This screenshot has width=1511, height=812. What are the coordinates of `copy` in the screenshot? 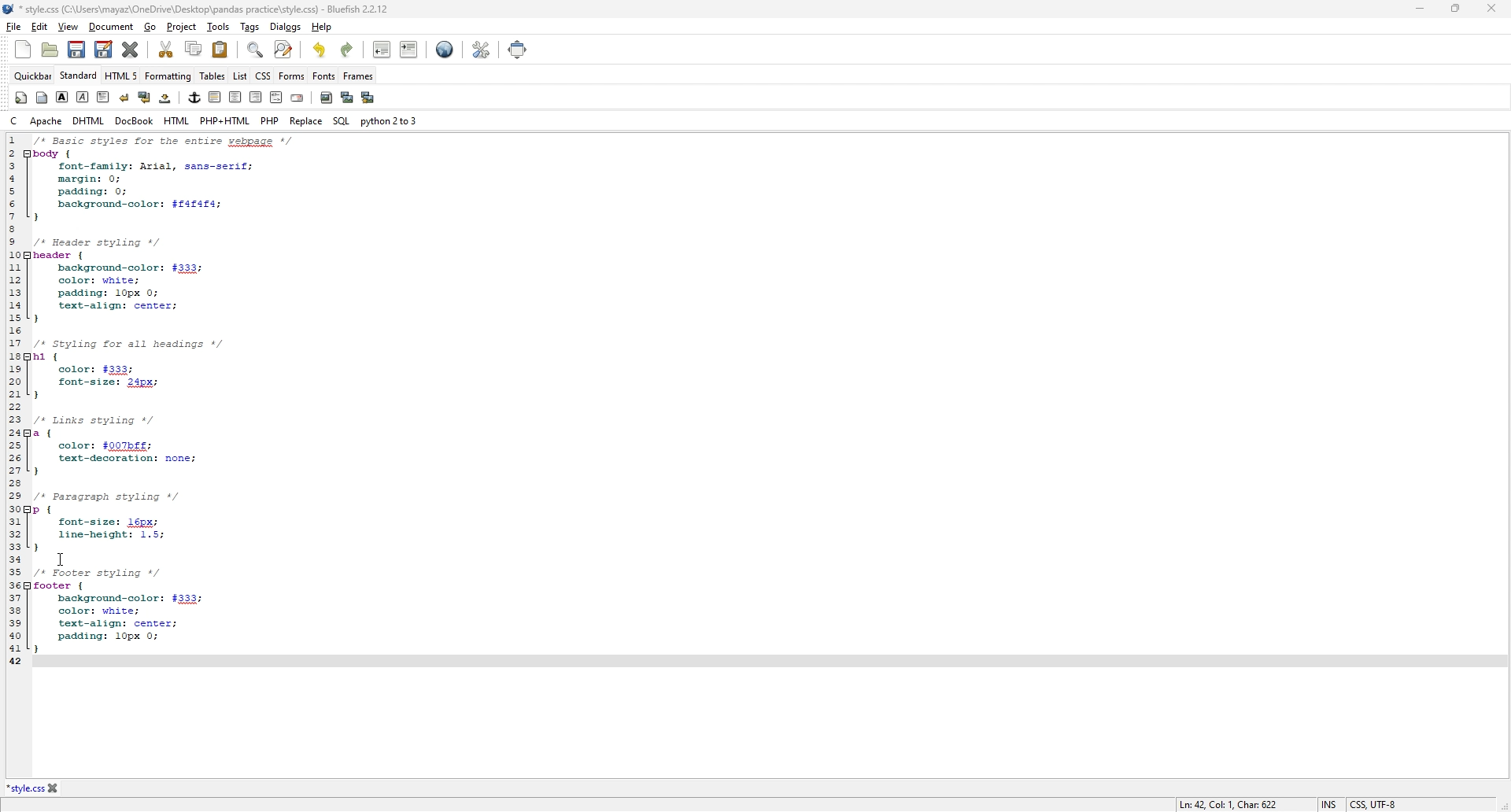 It's located at (195, 49).